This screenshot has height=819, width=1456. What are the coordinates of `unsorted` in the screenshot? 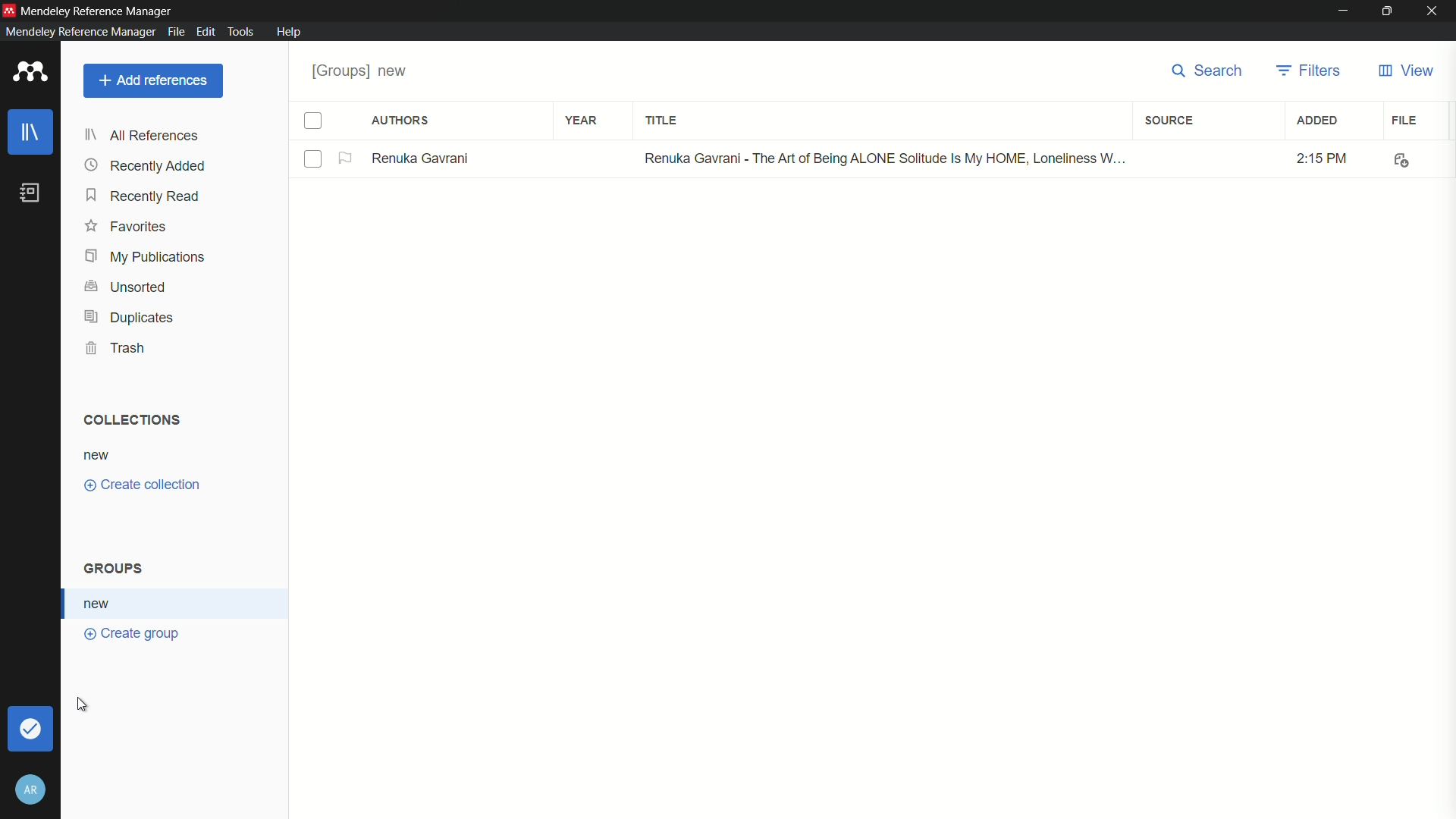 It's located at (127, 287).